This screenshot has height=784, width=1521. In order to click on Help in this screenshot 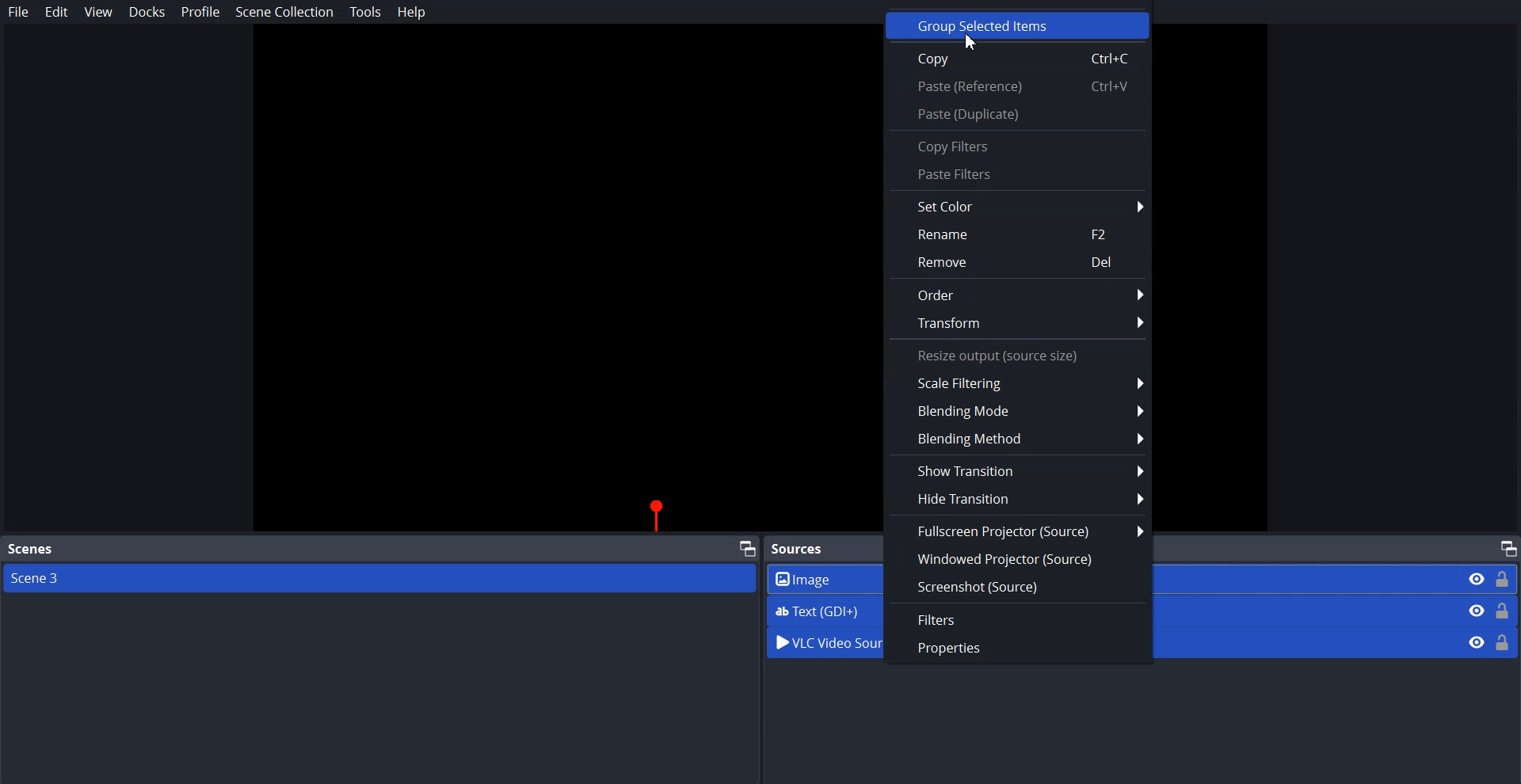, I will do `click(412, 12)`.